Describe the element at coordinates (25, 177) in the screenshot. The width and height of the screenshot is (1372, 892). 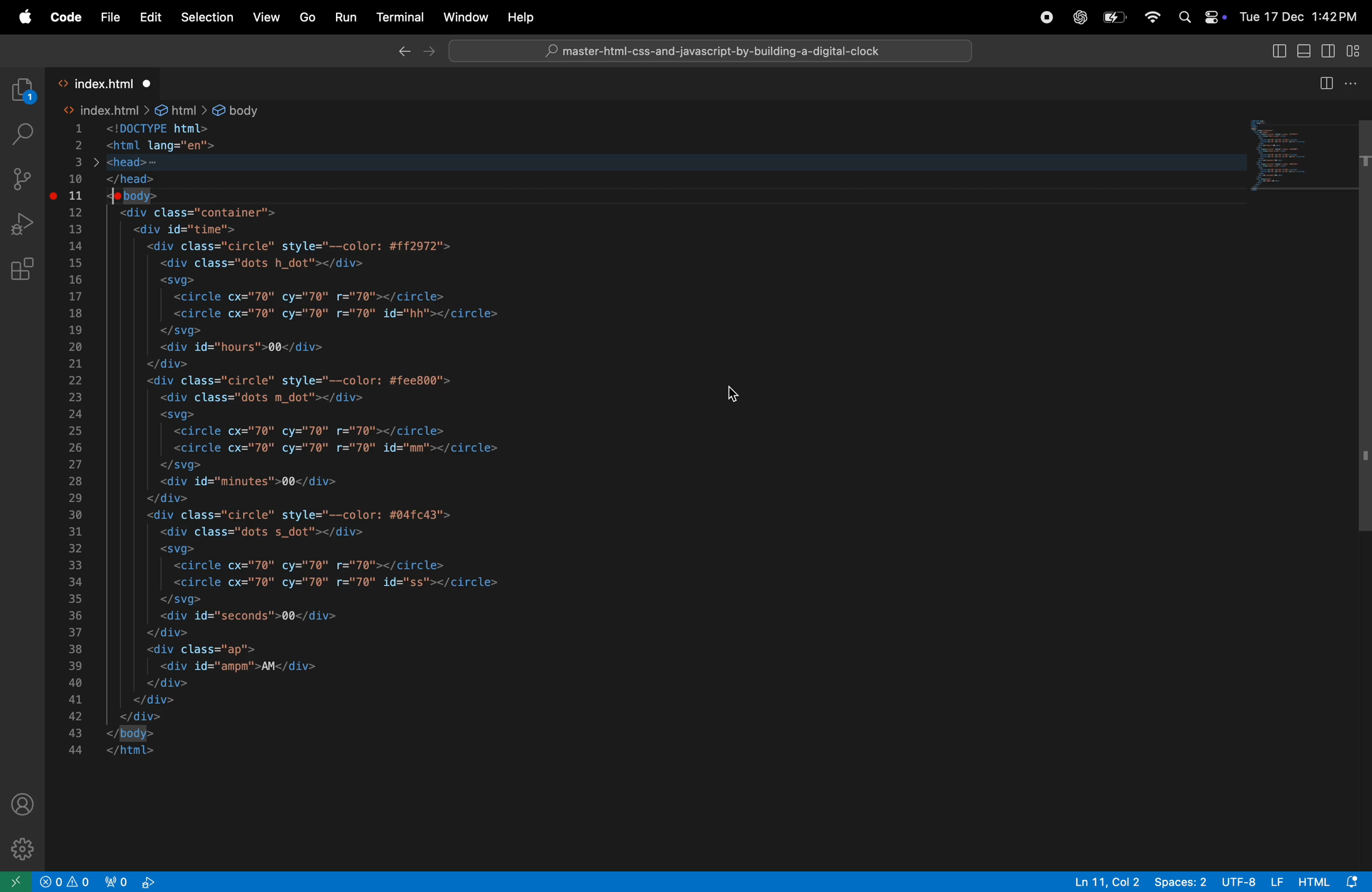
I see `source control` at that location.